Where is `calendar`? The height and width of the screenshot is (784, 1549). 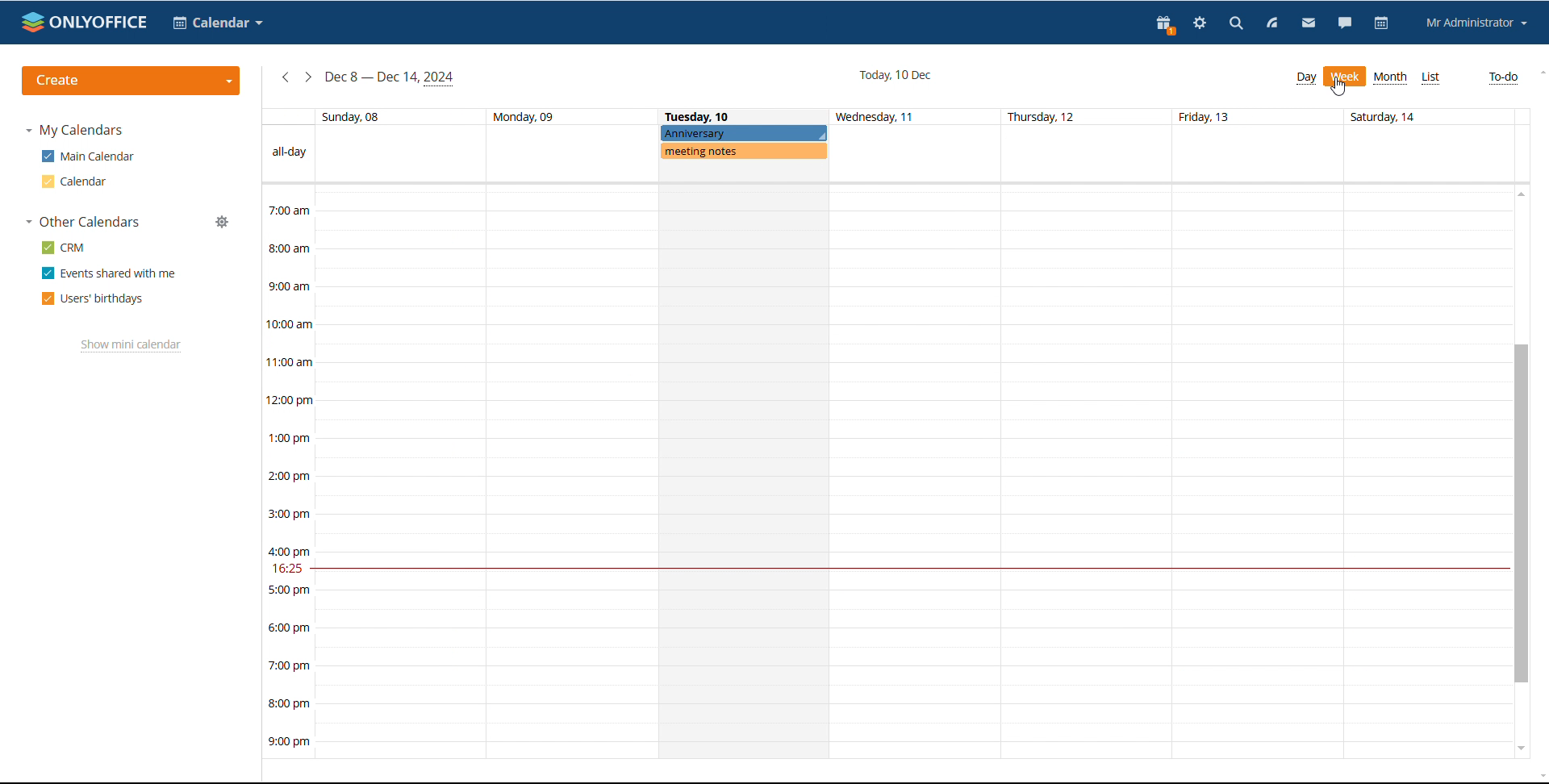 calendar is located at coordinates (1383, 23).